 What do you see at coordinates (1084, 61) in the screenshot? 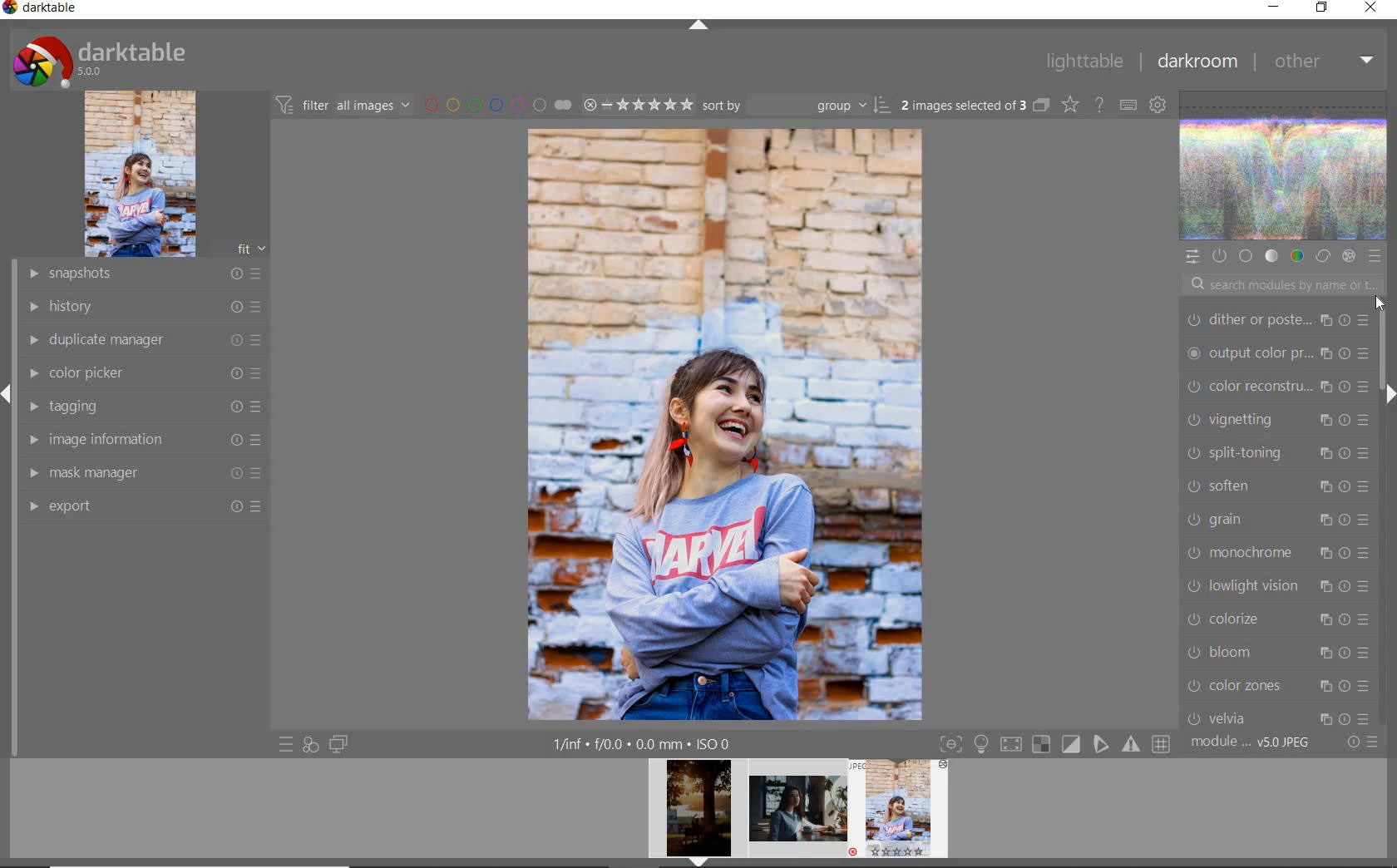
I see `LIGHTTABLE` at bounding box center [1084, 61].